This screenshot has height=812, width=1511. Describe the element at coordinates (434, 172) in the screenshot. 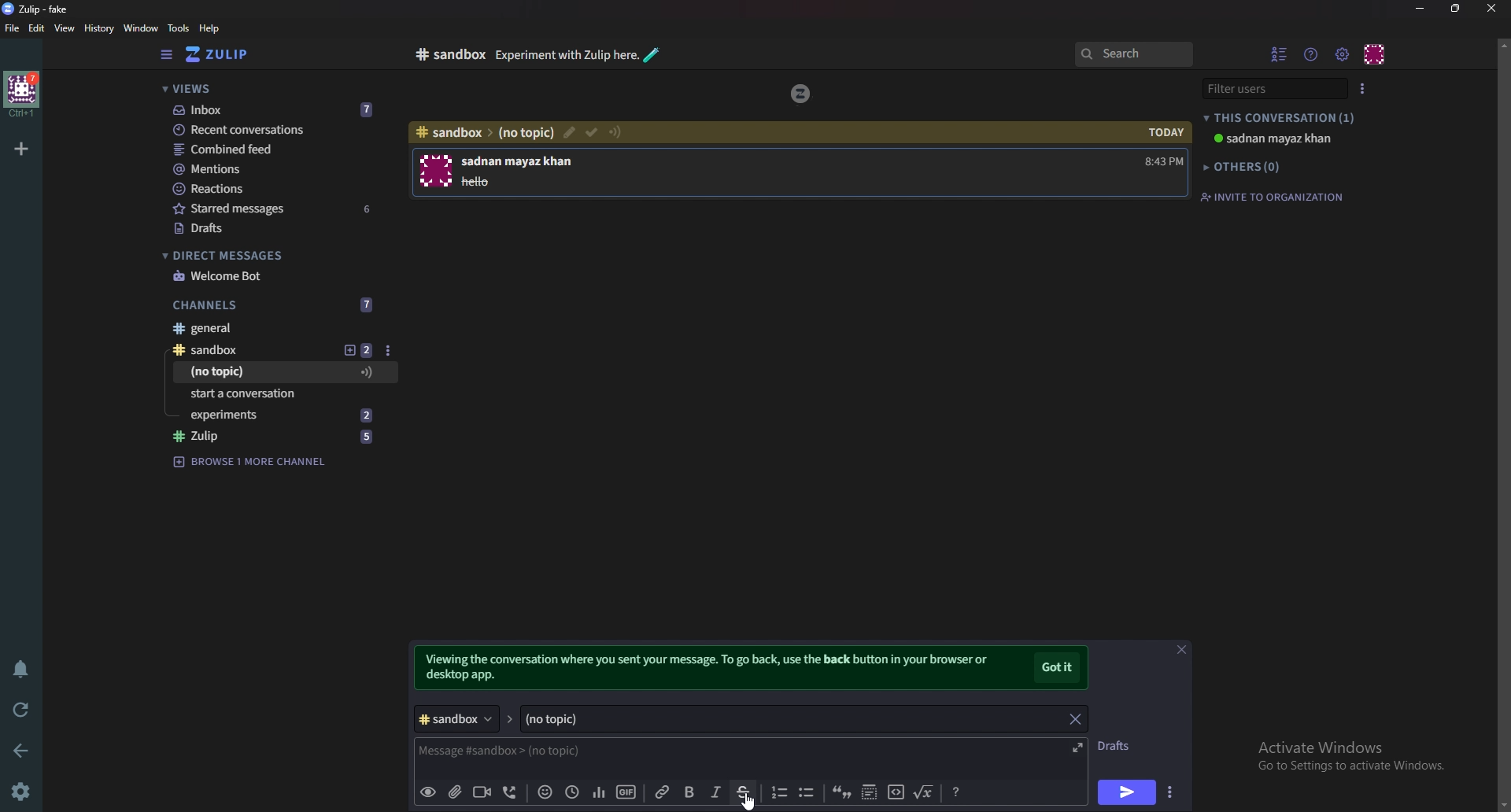

I see `User photo` at that location.